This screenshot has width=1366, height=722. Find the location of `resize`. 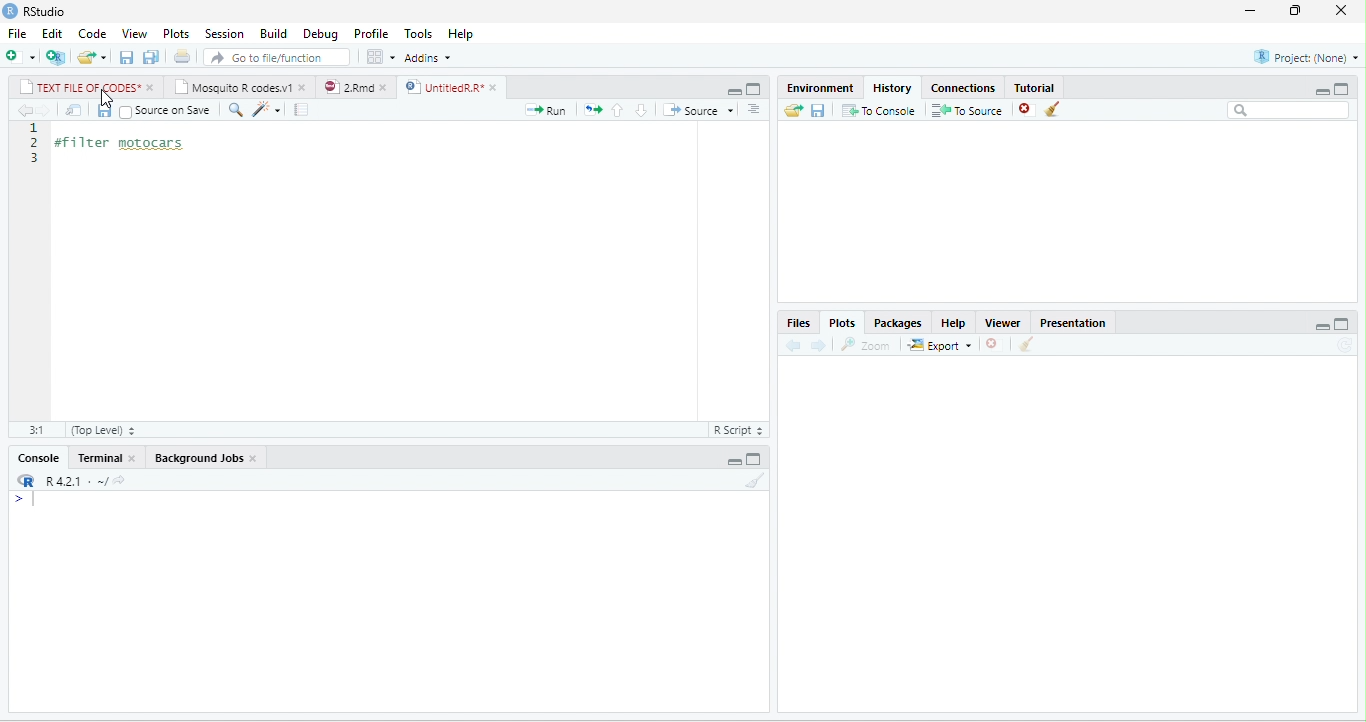

resize is located at coordinates (1292, 11).